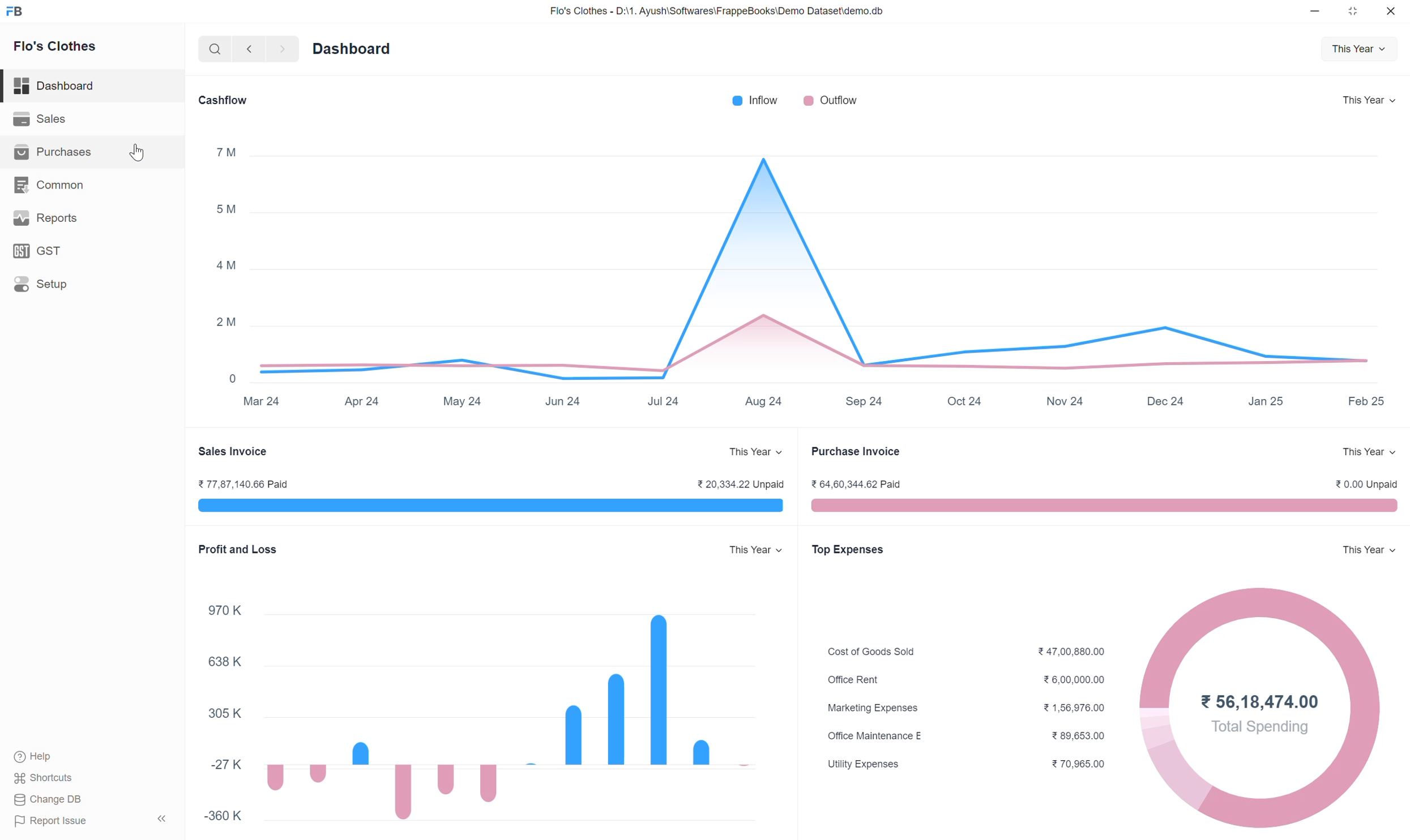 The image size is (1410, 840). I want to click on 20,334.22 Unpaid, so click(740, 485).